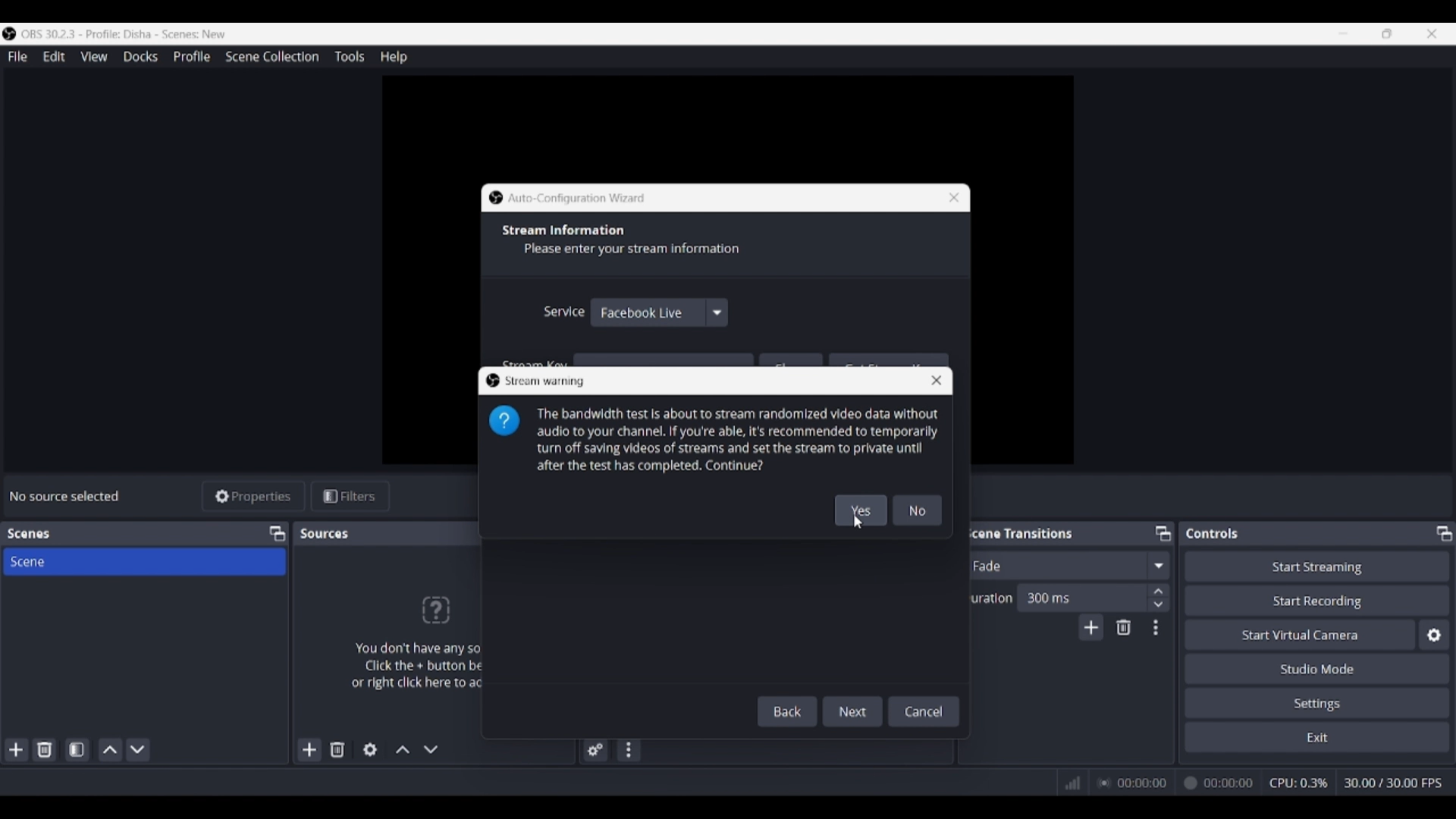  Describe the element at coordinates (350, 497) in the screenshot. I see `Filters` at that location.